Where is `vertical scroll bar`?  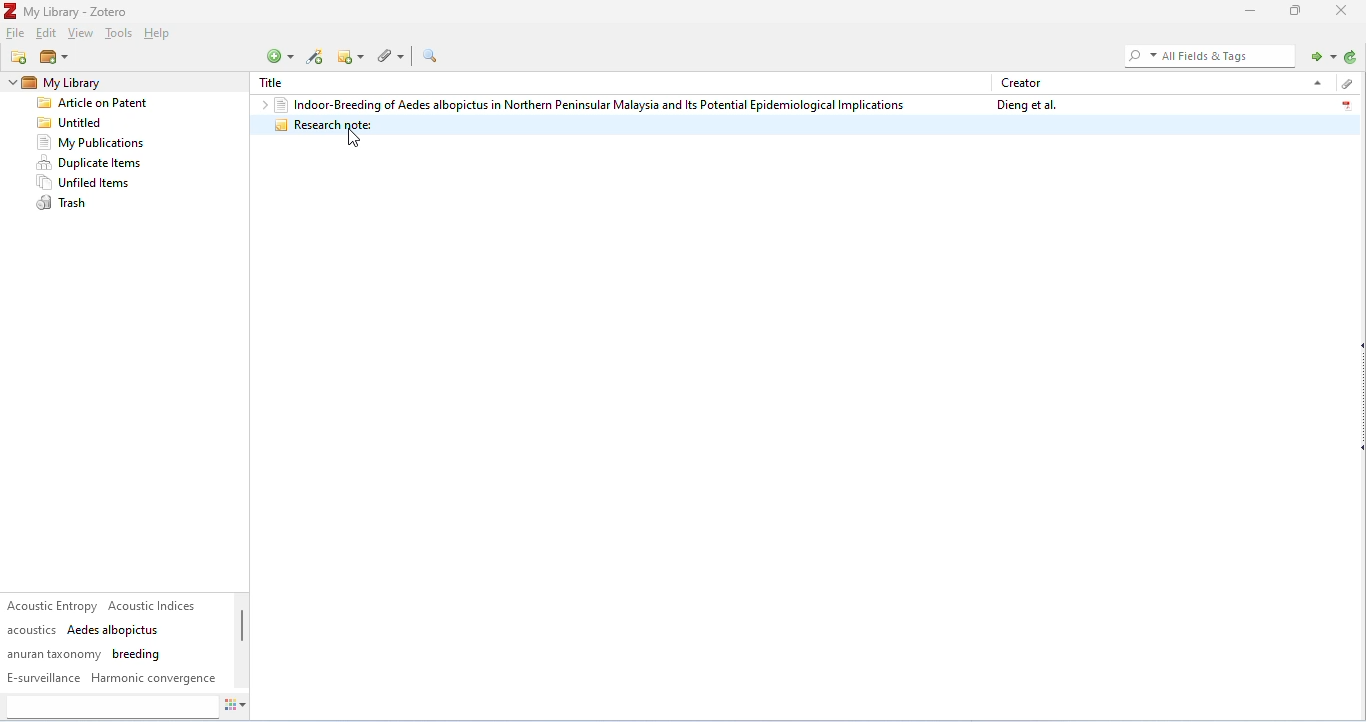
vertical scroll bar is located at coordinates (242, 636).